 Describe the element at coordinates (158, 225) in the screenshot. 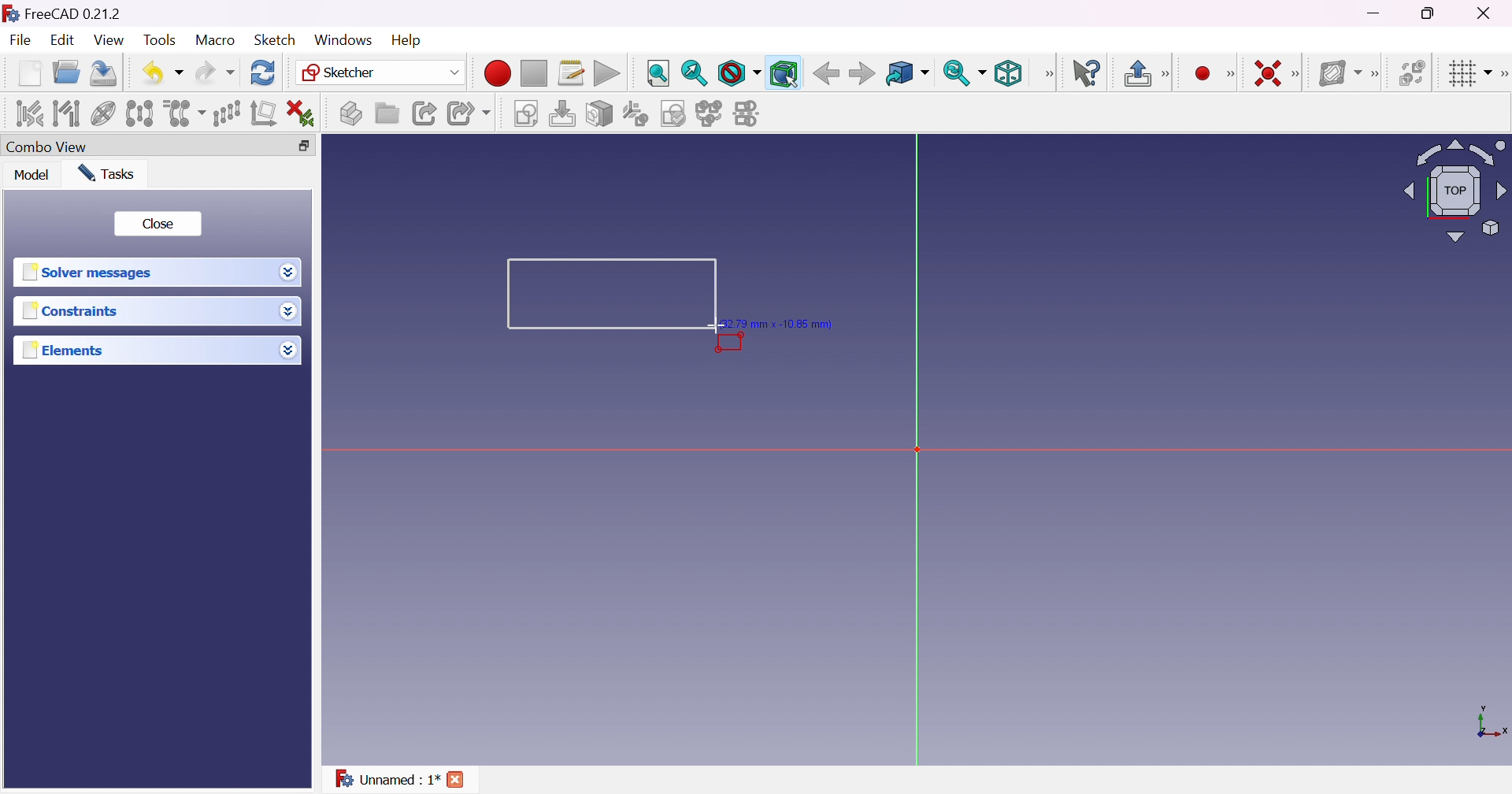

I see `Close` at that location.